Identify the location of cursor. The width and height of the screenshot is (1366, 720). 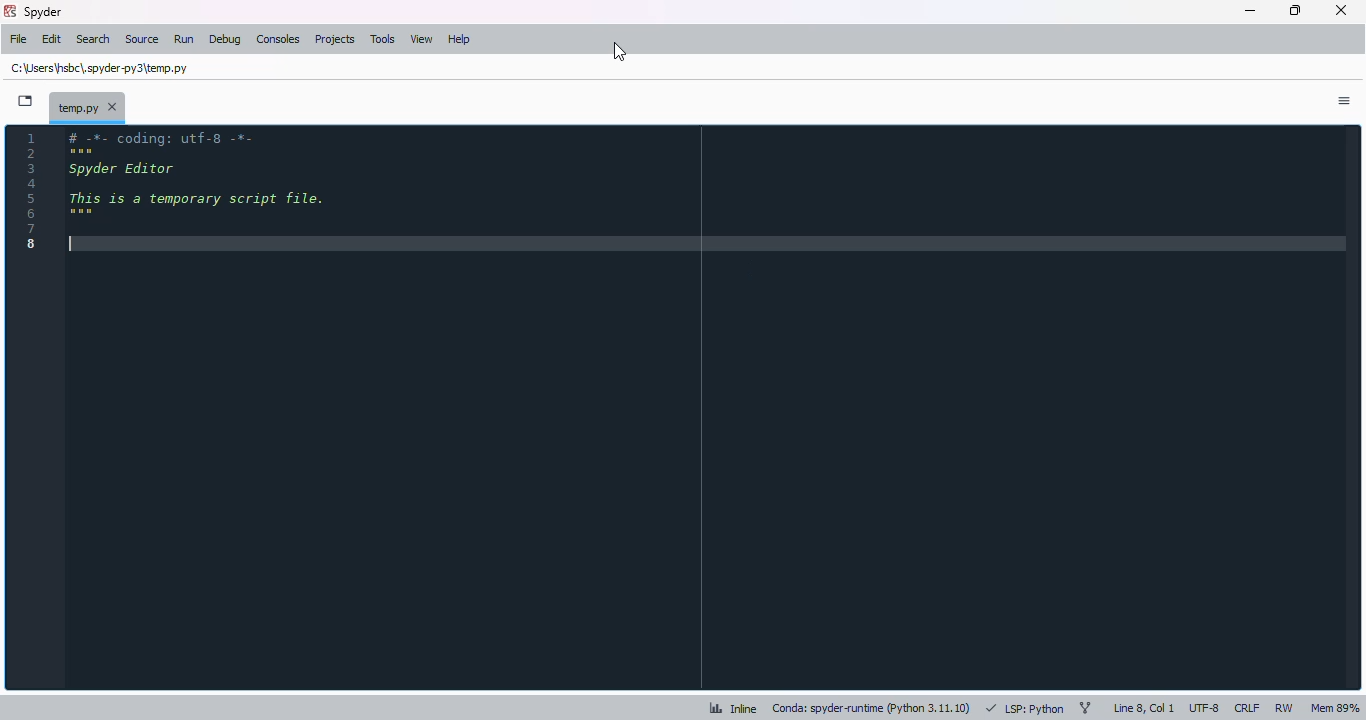
(620, 52).